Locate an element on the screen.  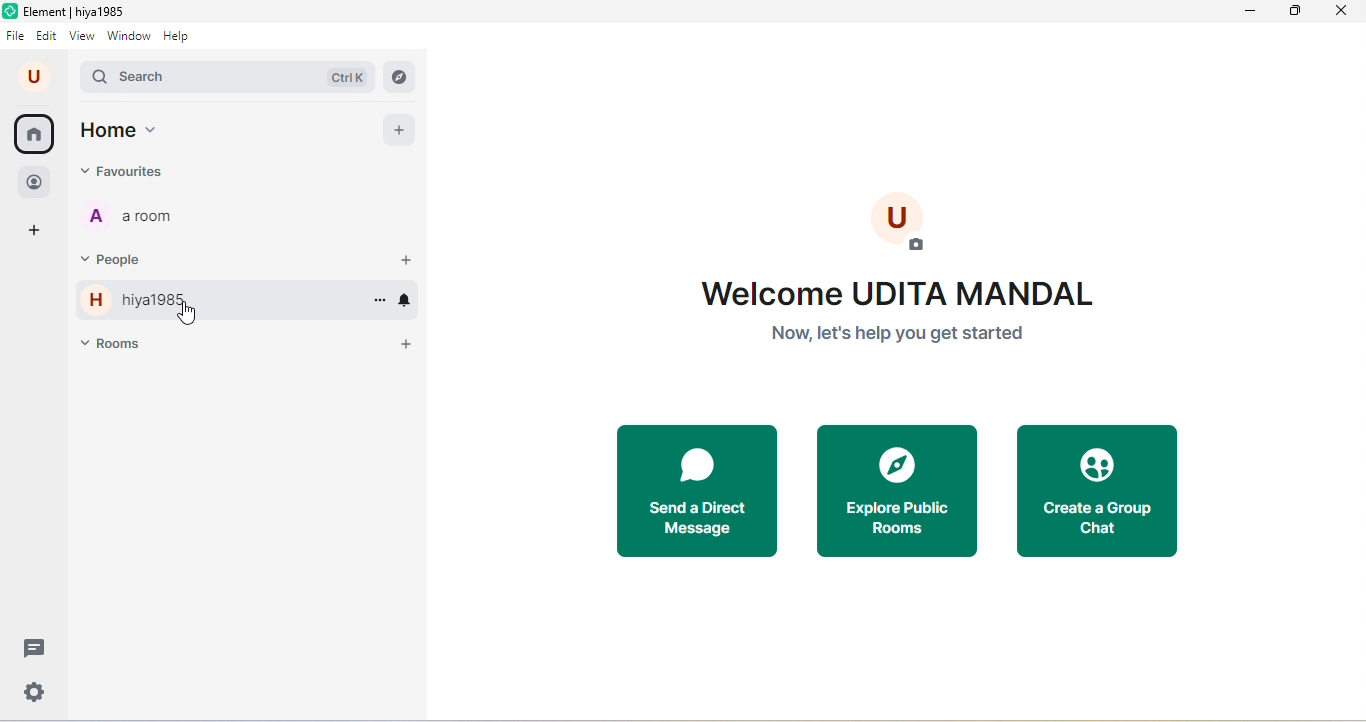
Explore Public Rooms is located at coordinates (896, 490).